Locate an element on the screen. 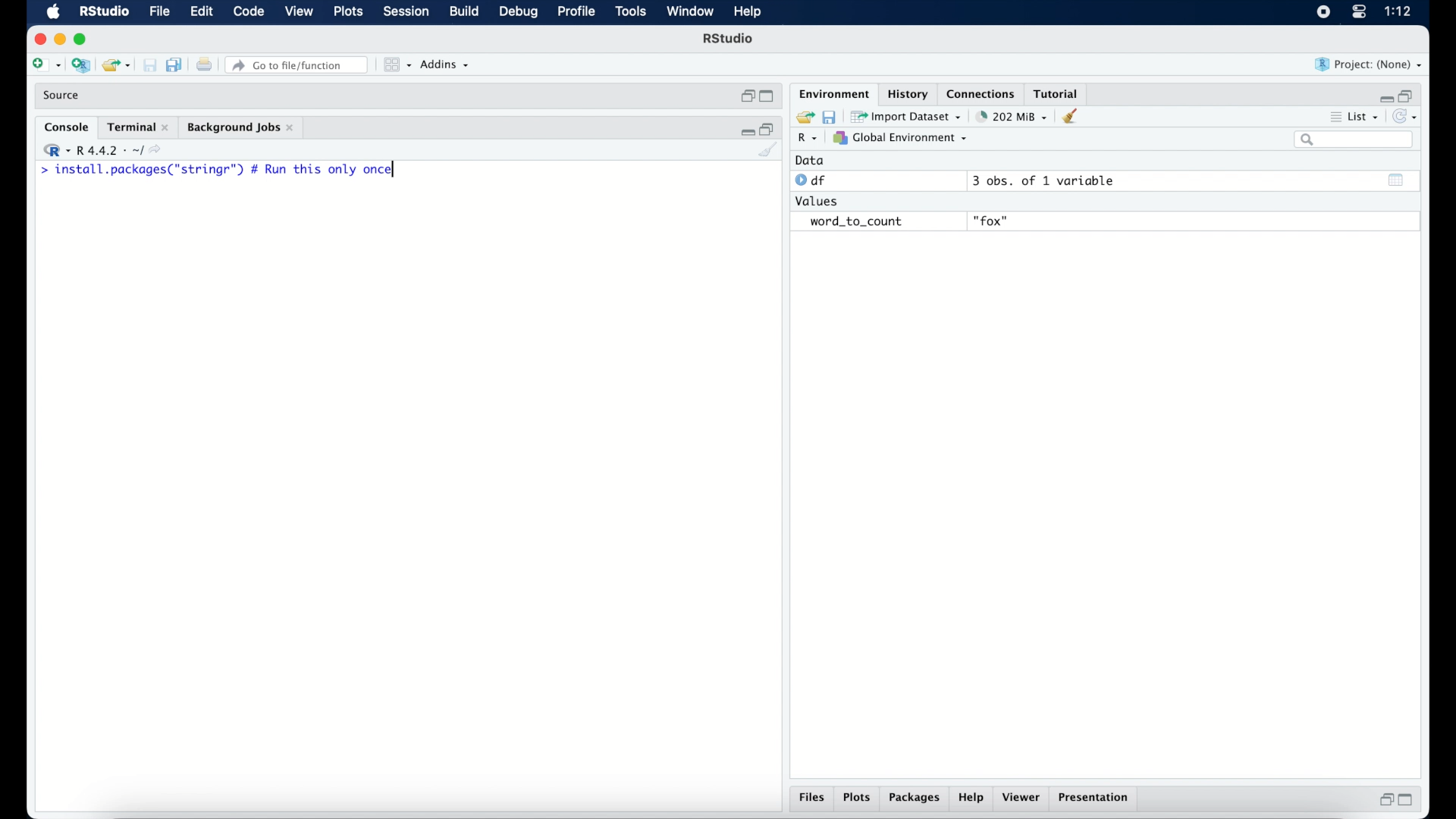 This screenshot has height=819, width=1456. presentation is located at coordinates (1096, 799).